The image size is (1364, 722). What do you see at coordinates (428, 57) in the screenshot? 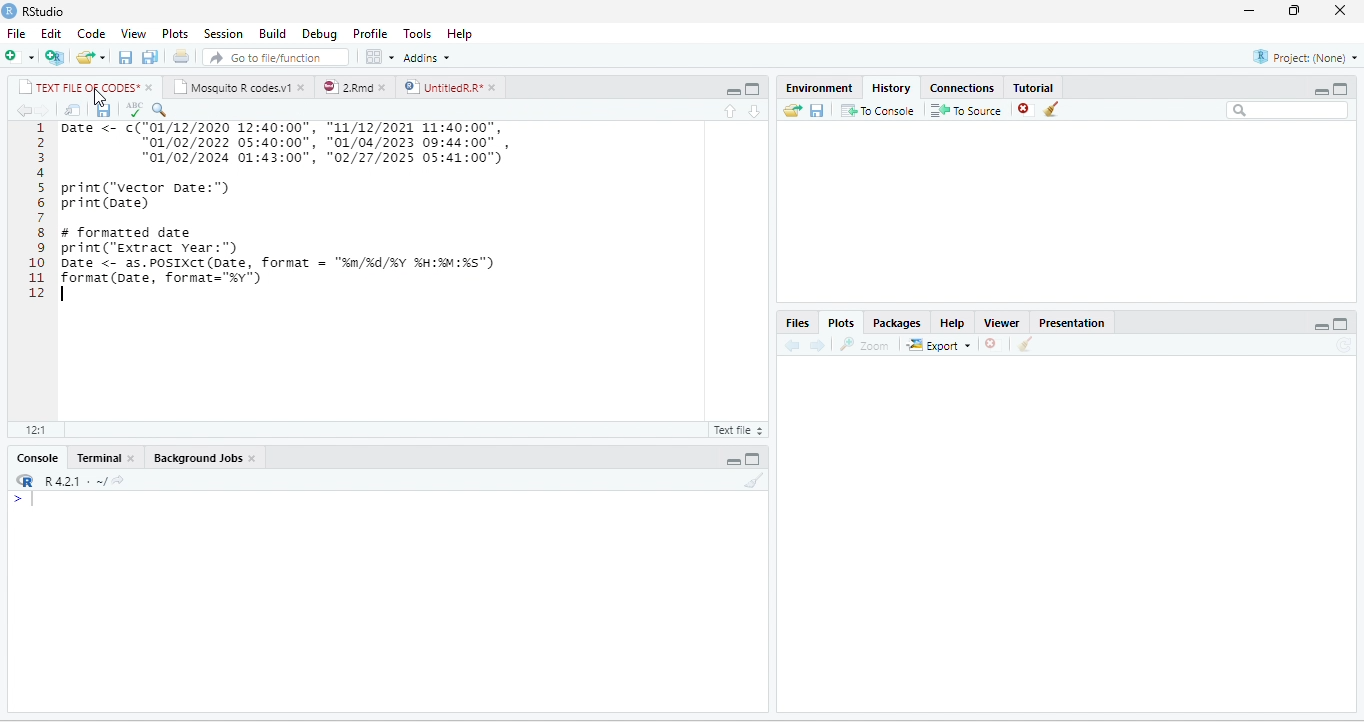
I see `Addins` at bounding box center [428, 57].